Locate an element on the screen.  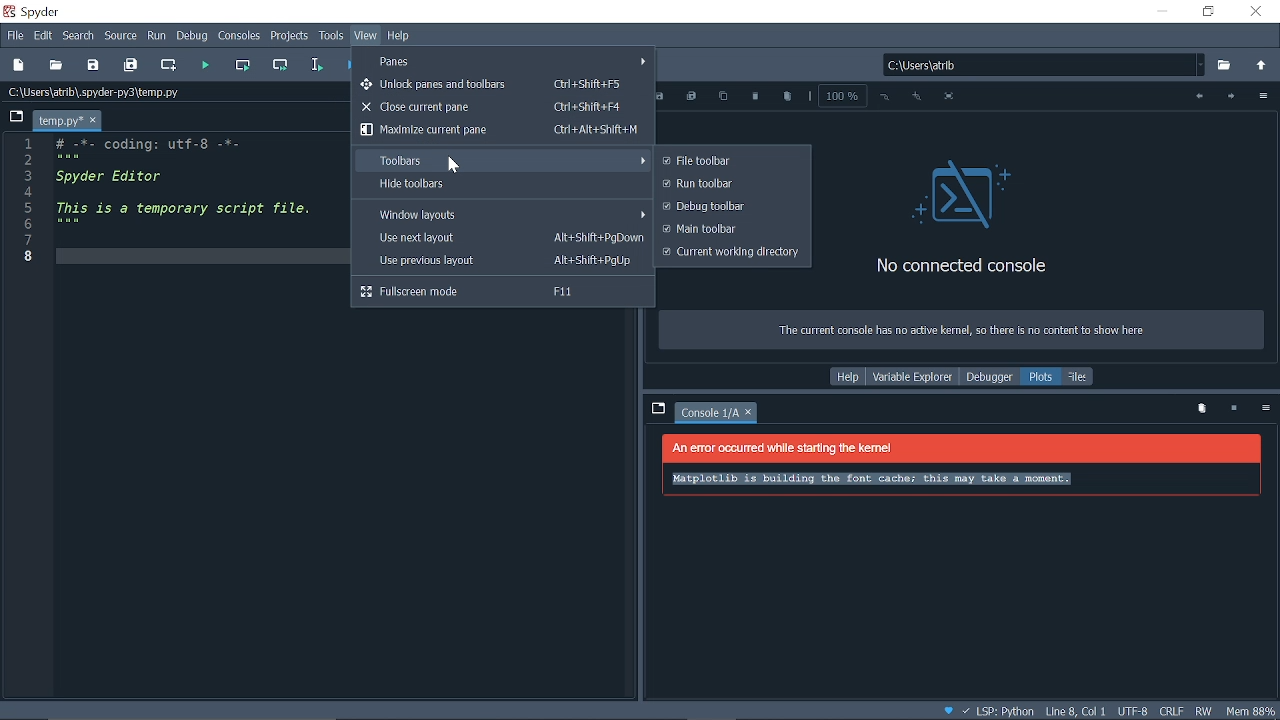
Remove plot  is located at coordinates (755, 97).